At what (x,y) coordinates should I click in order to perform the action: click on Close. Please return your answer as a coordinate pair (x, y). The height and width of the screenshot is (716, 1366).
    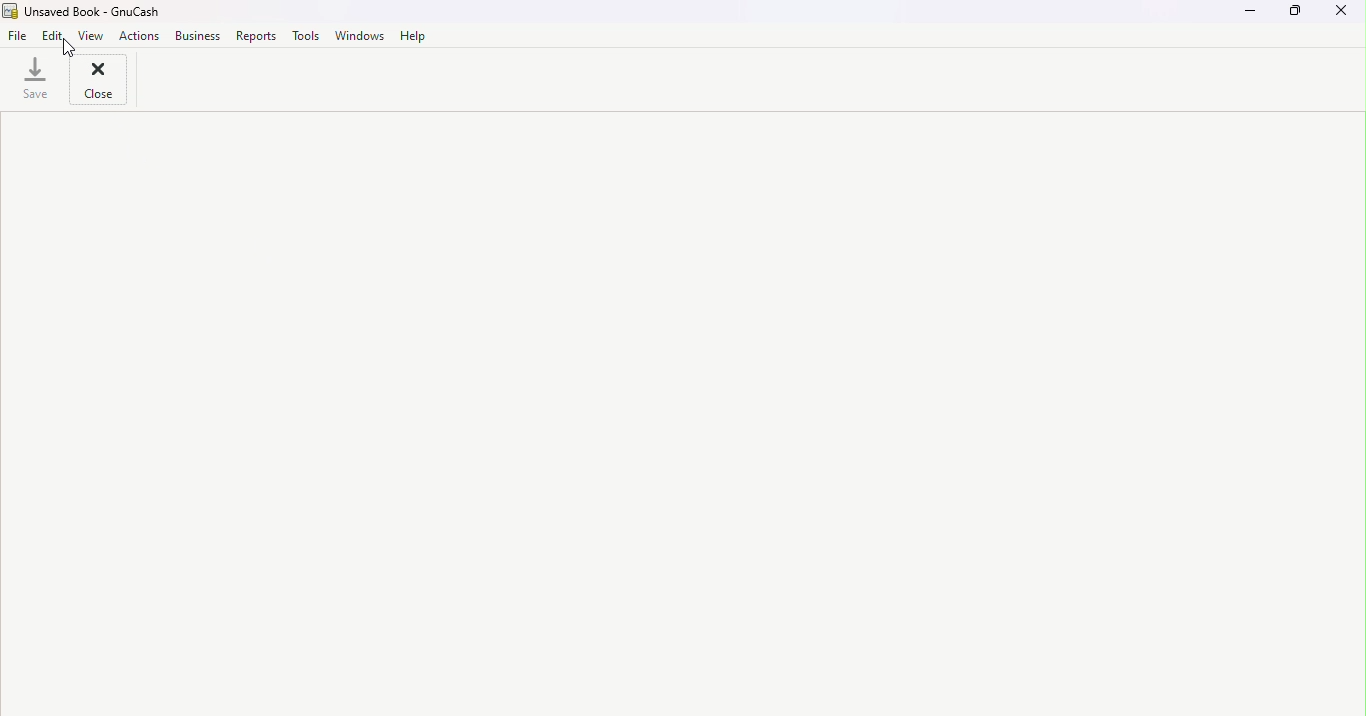
    Looking at the image, I should click on (98, 83).